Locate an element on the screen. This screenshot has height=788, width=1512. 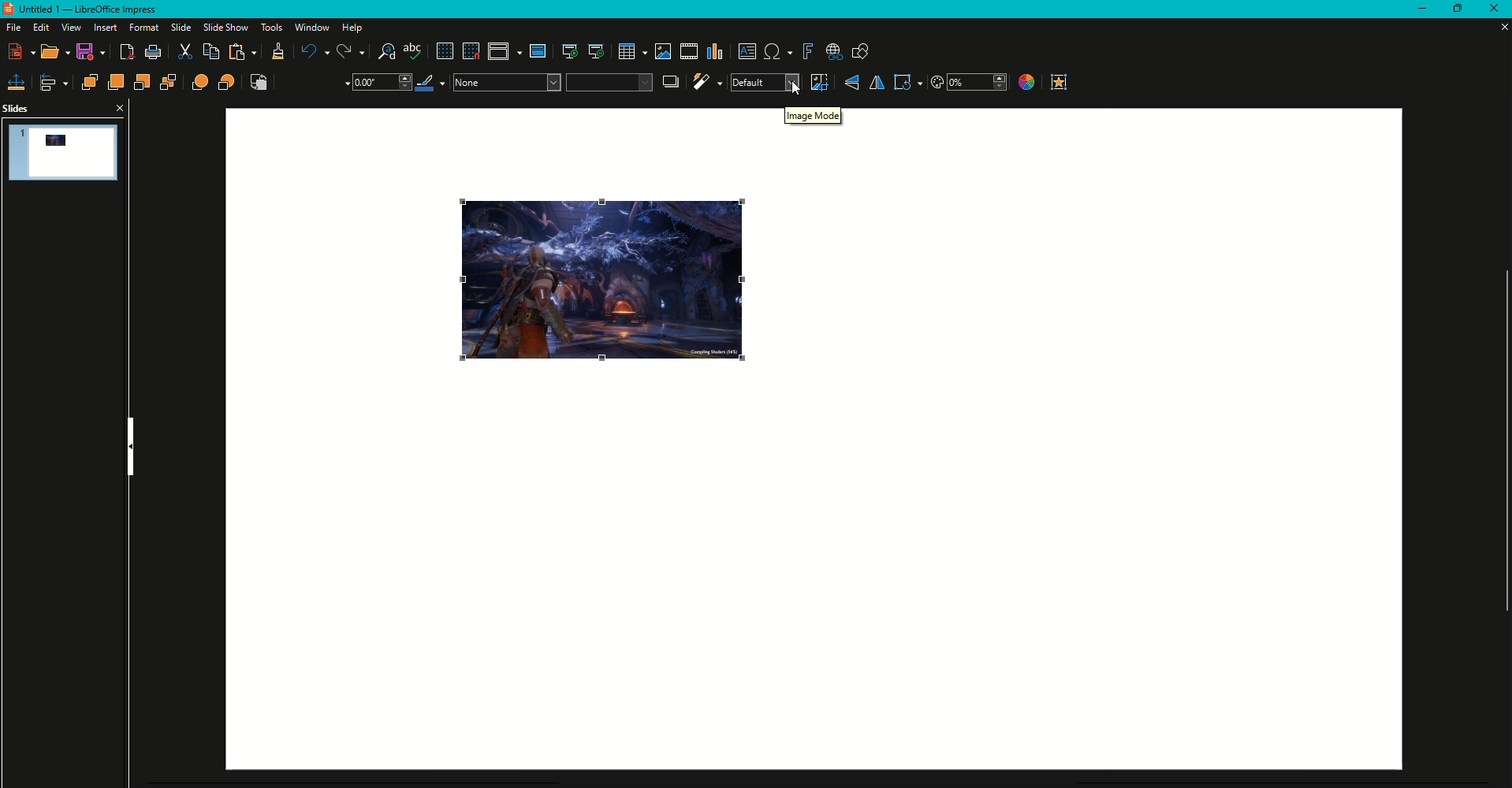
Line Color is located at coordinates (432, 83).